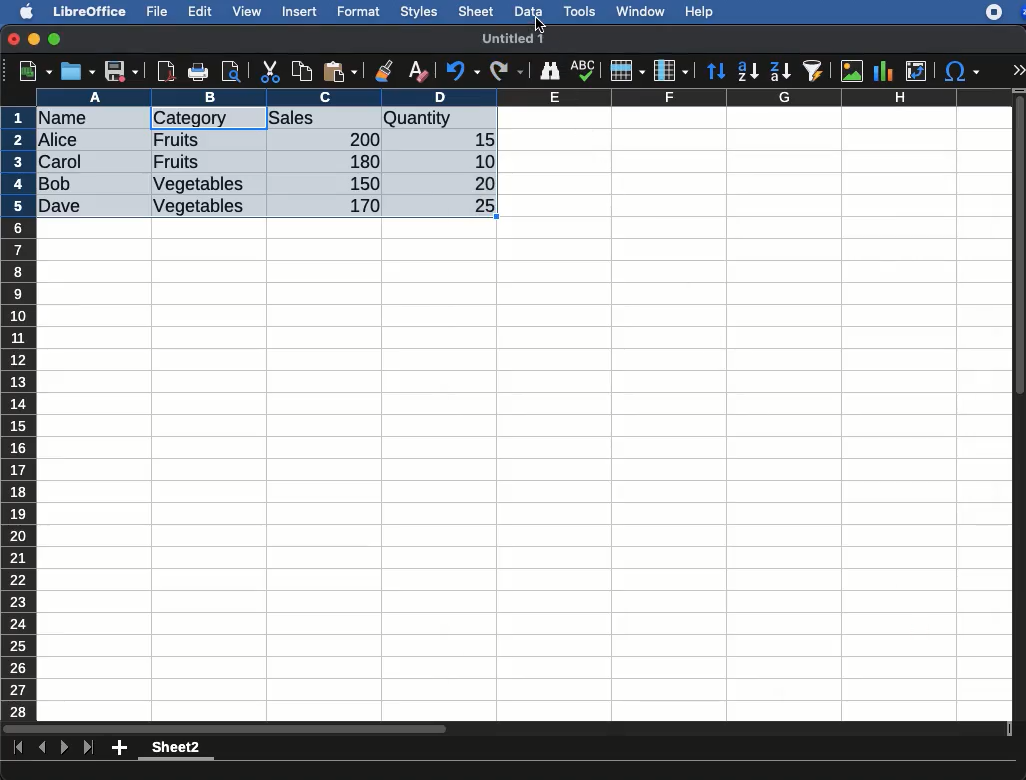 The height and width of the screenshot is (780, 1026). Describe the element at coordinates (700, 13) in the screenshot. I see `help` at that location.